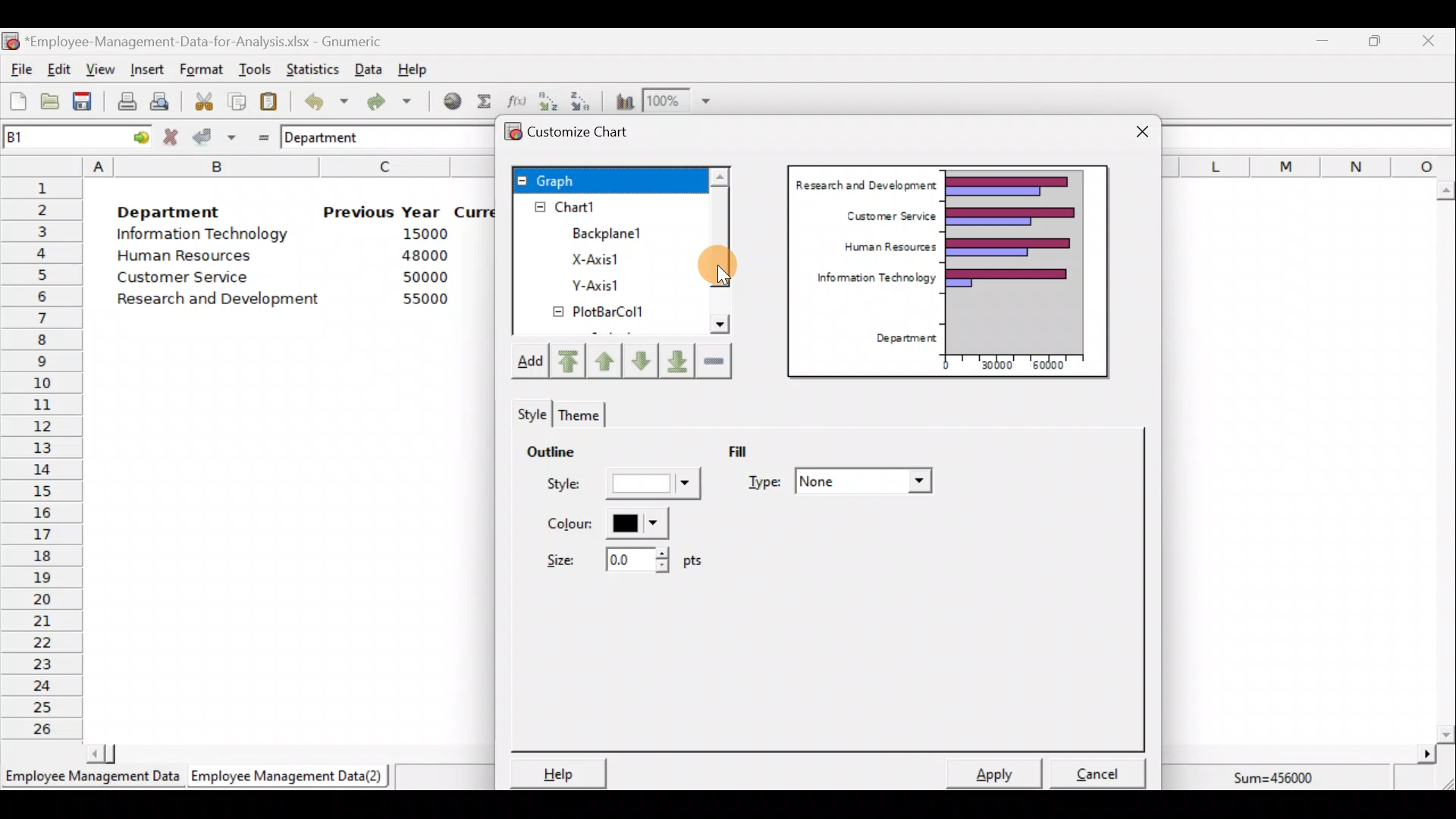  Describe the element at coordinates (621, 101) in the screenshot. I see `Insert a chart` at that location.